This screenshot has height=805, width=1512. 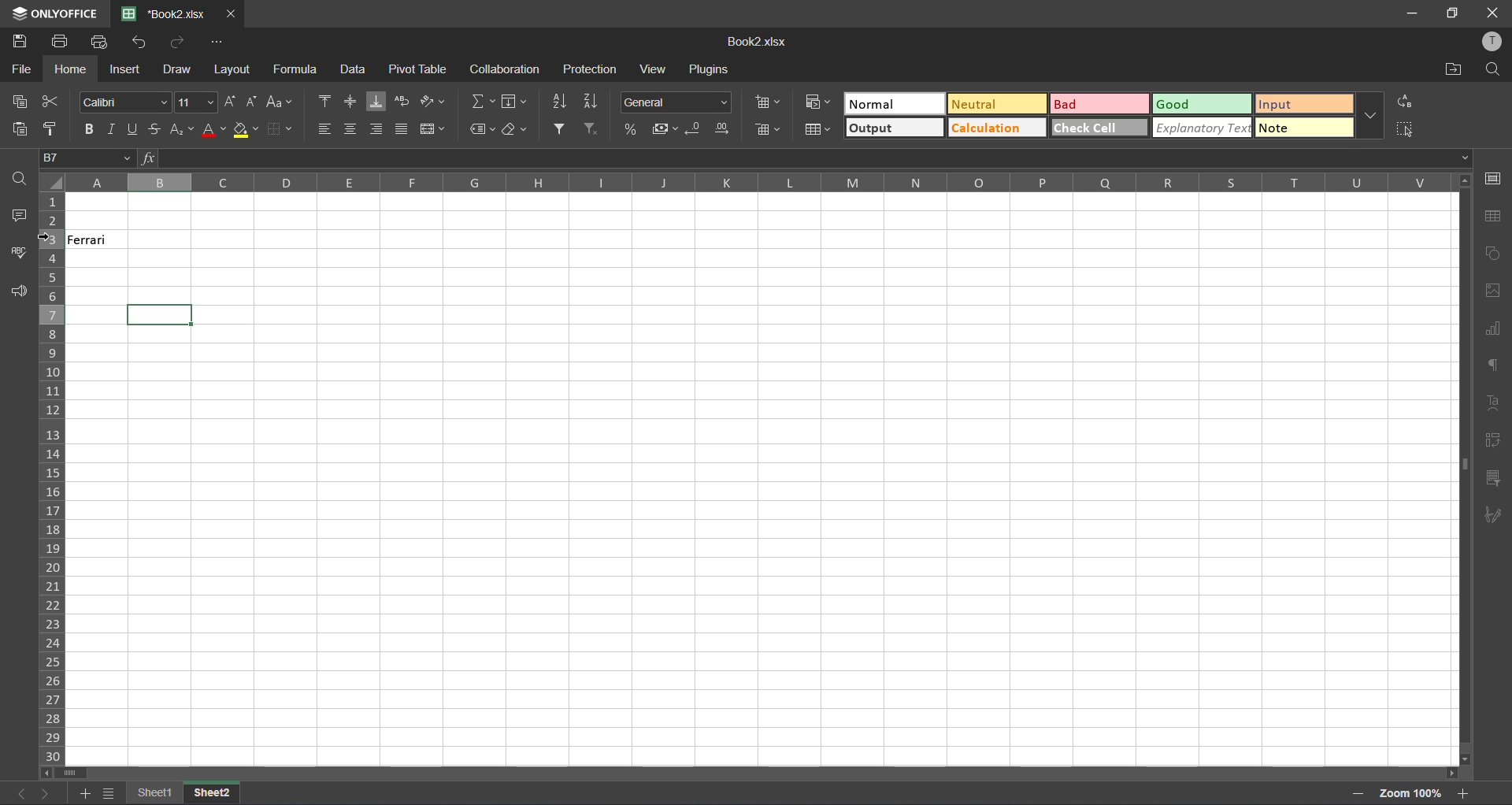 I want to click on Ferrari, so click(x=112, y=239).